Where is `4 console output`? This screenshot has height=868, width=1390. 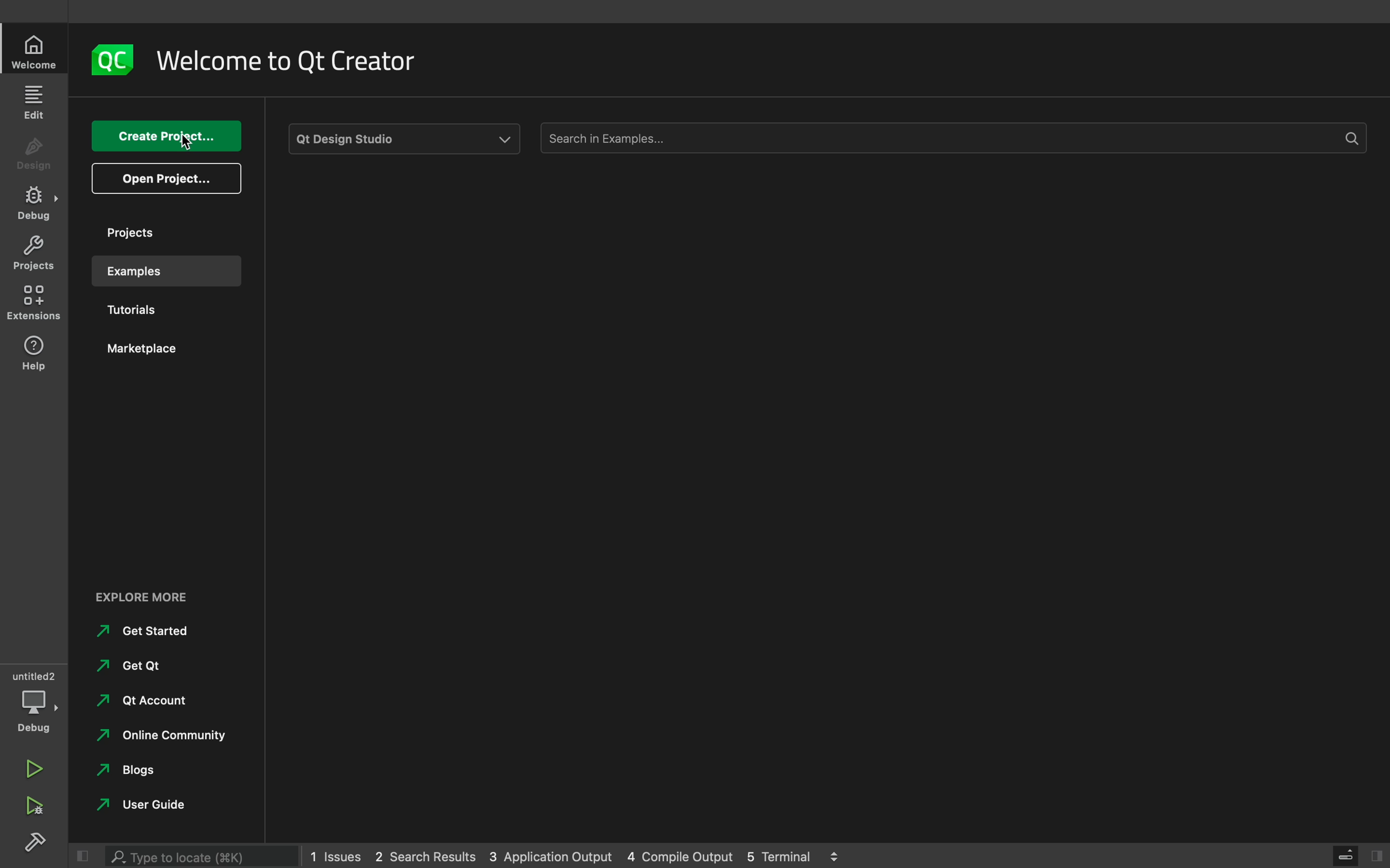 4 console output is located at coordinates (682, 857).